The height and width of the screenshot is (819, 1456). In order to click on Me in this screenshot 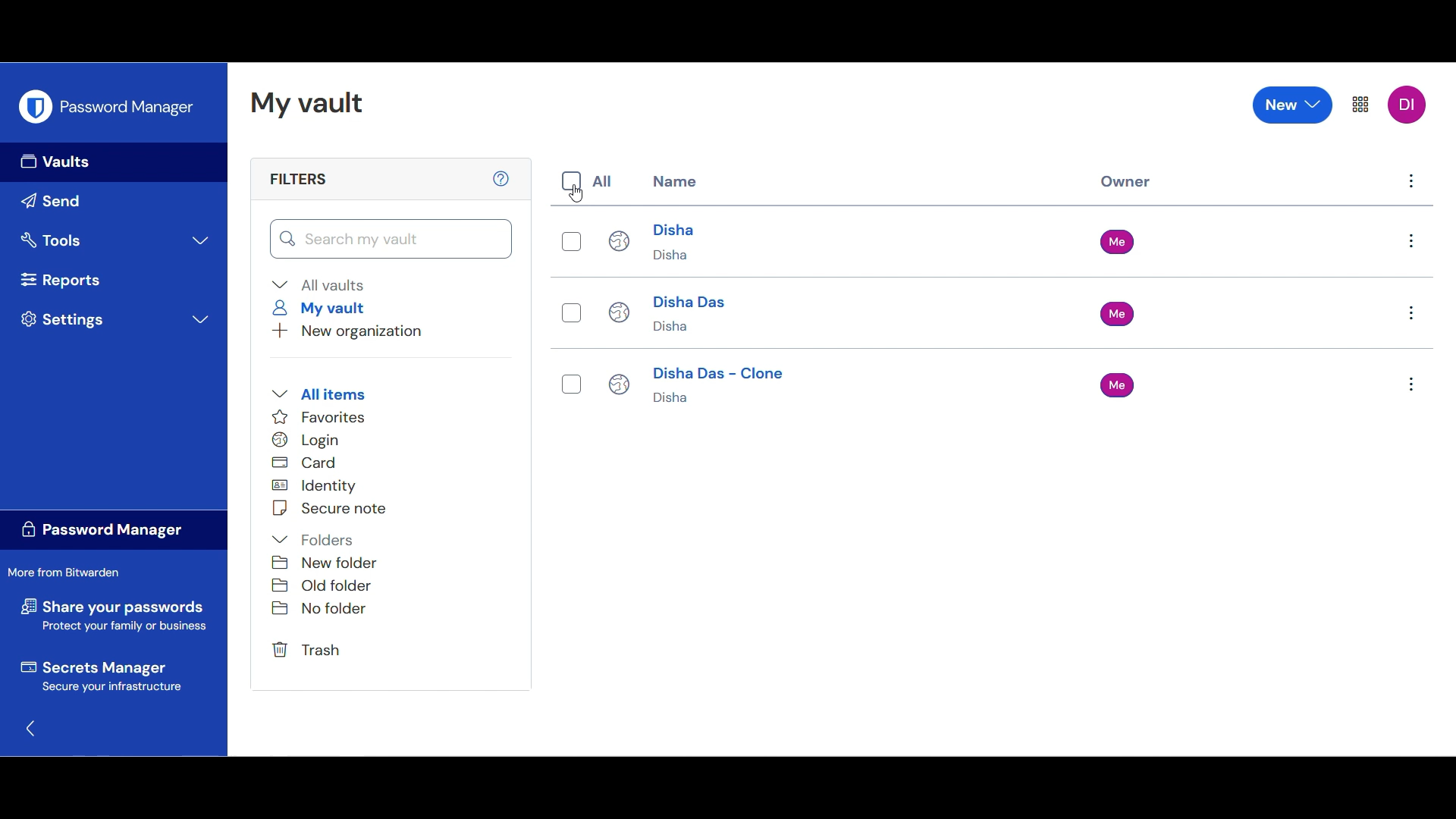, I will do `click(1121, 241)`.